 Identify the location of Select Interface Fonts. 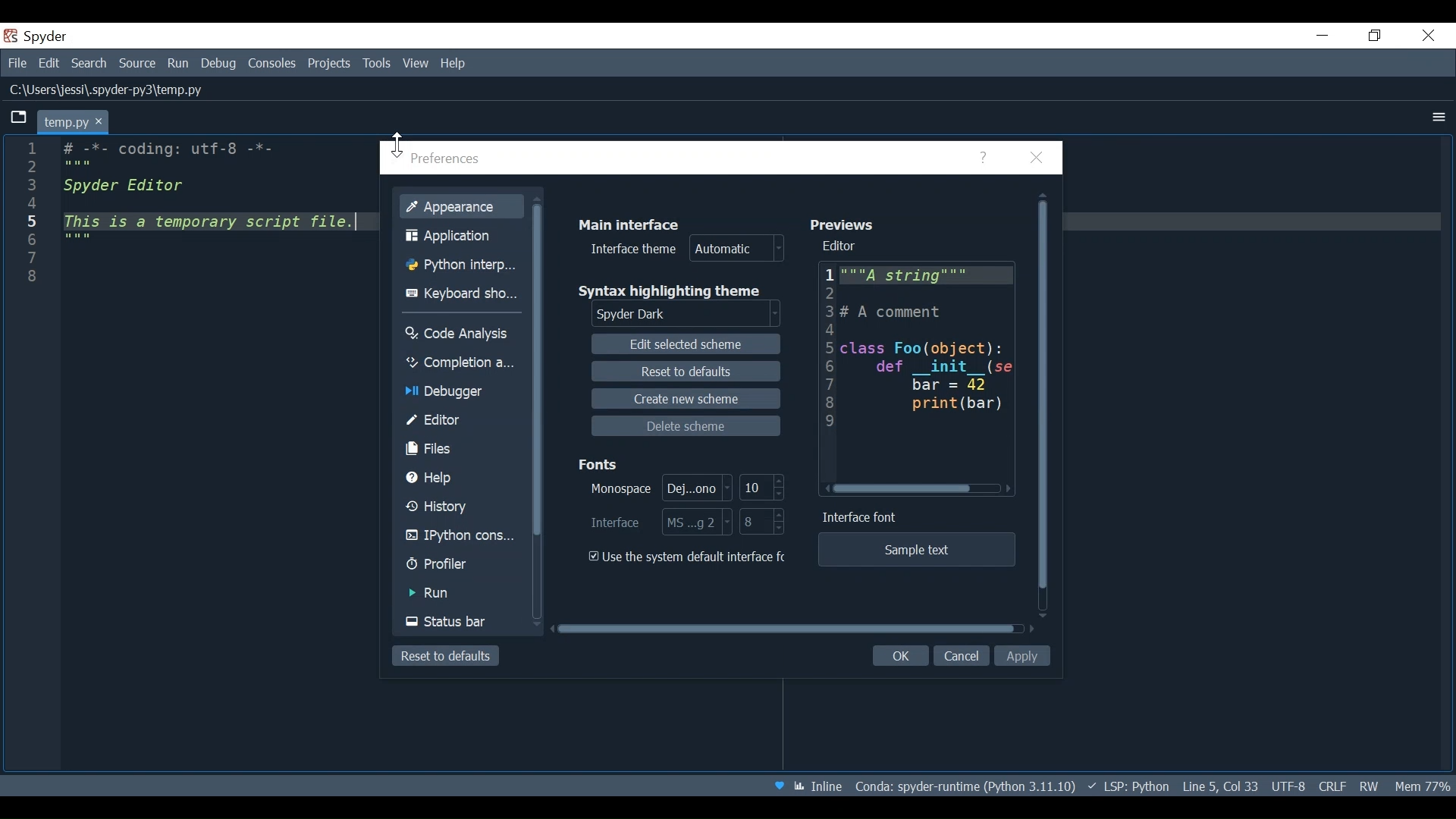
(661, 521).